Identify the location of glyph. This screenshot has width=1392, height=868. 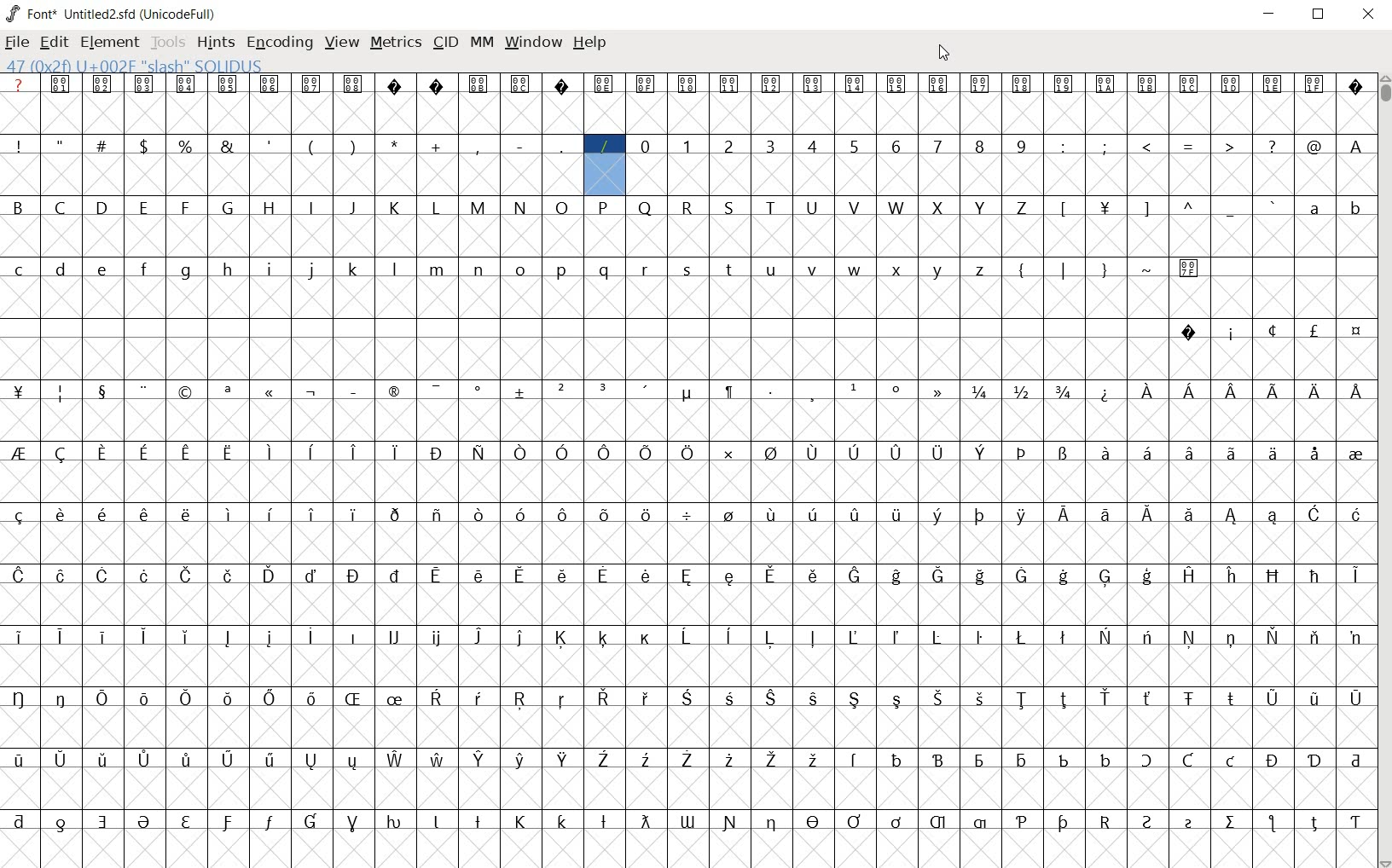
(771, 85).